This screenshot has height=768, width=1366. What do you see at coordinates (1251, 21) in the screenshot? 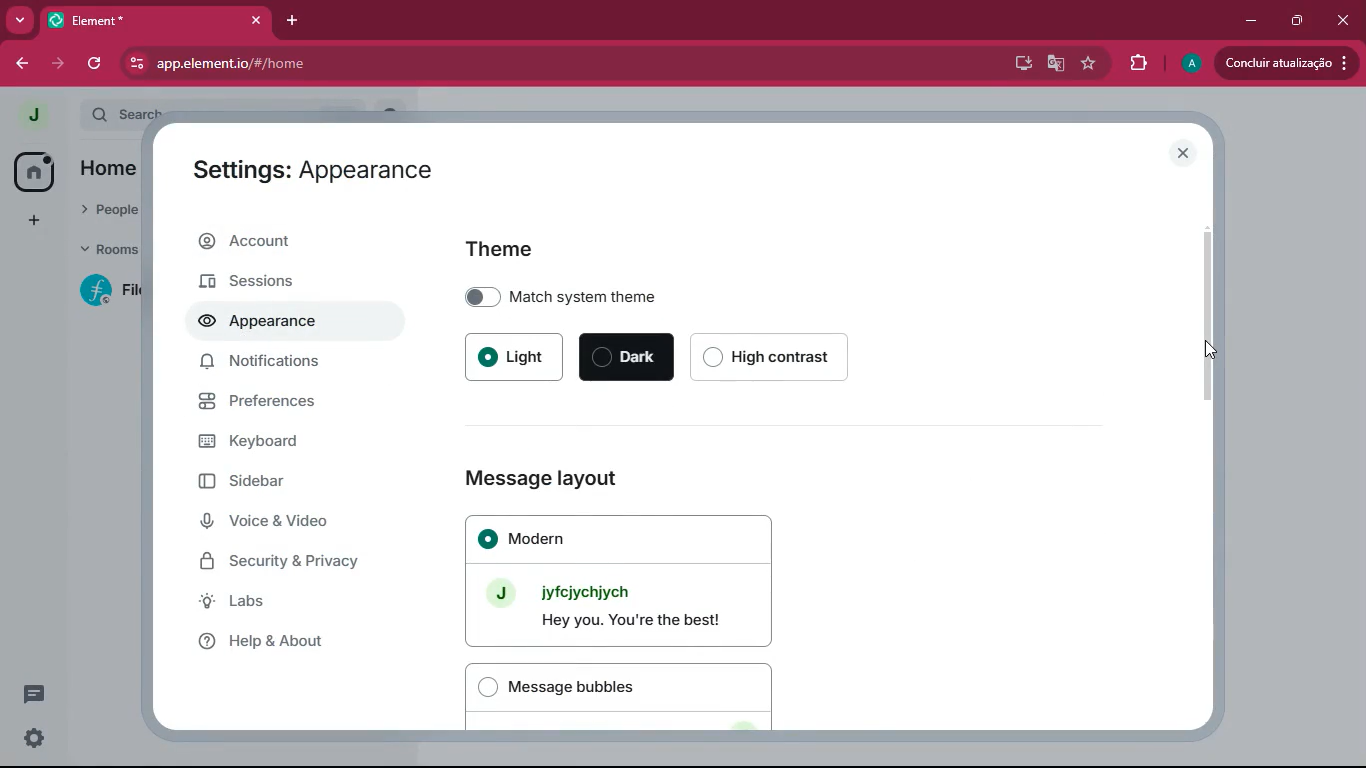
I see `minimize` at bounding box center [1251, 21].